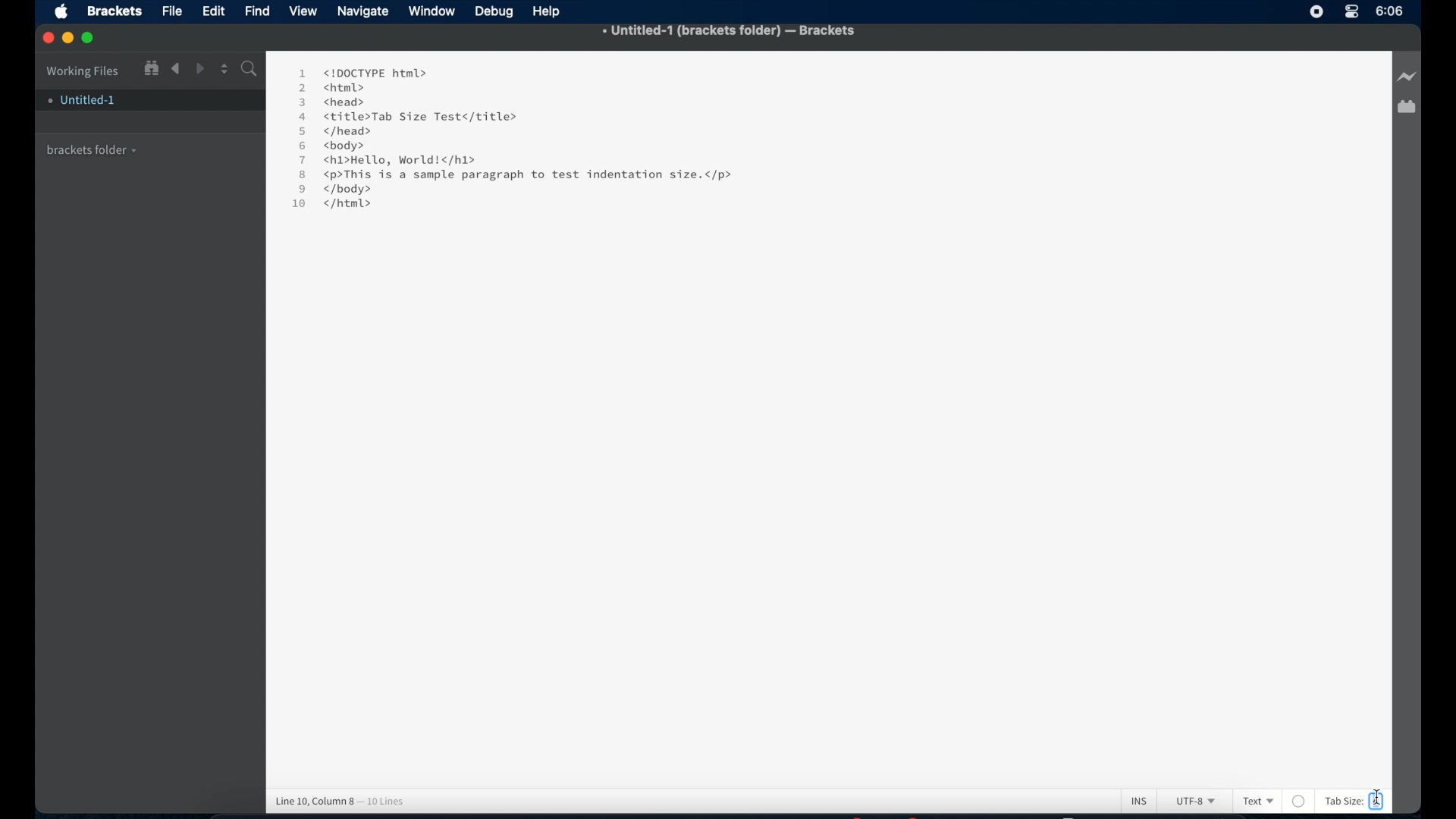 This screenshot has height=819, width=1456. Describe the element at coordinates (390, 160) in the screenshot. I see `7 <h1>Hello, World!</h1>` at that location.